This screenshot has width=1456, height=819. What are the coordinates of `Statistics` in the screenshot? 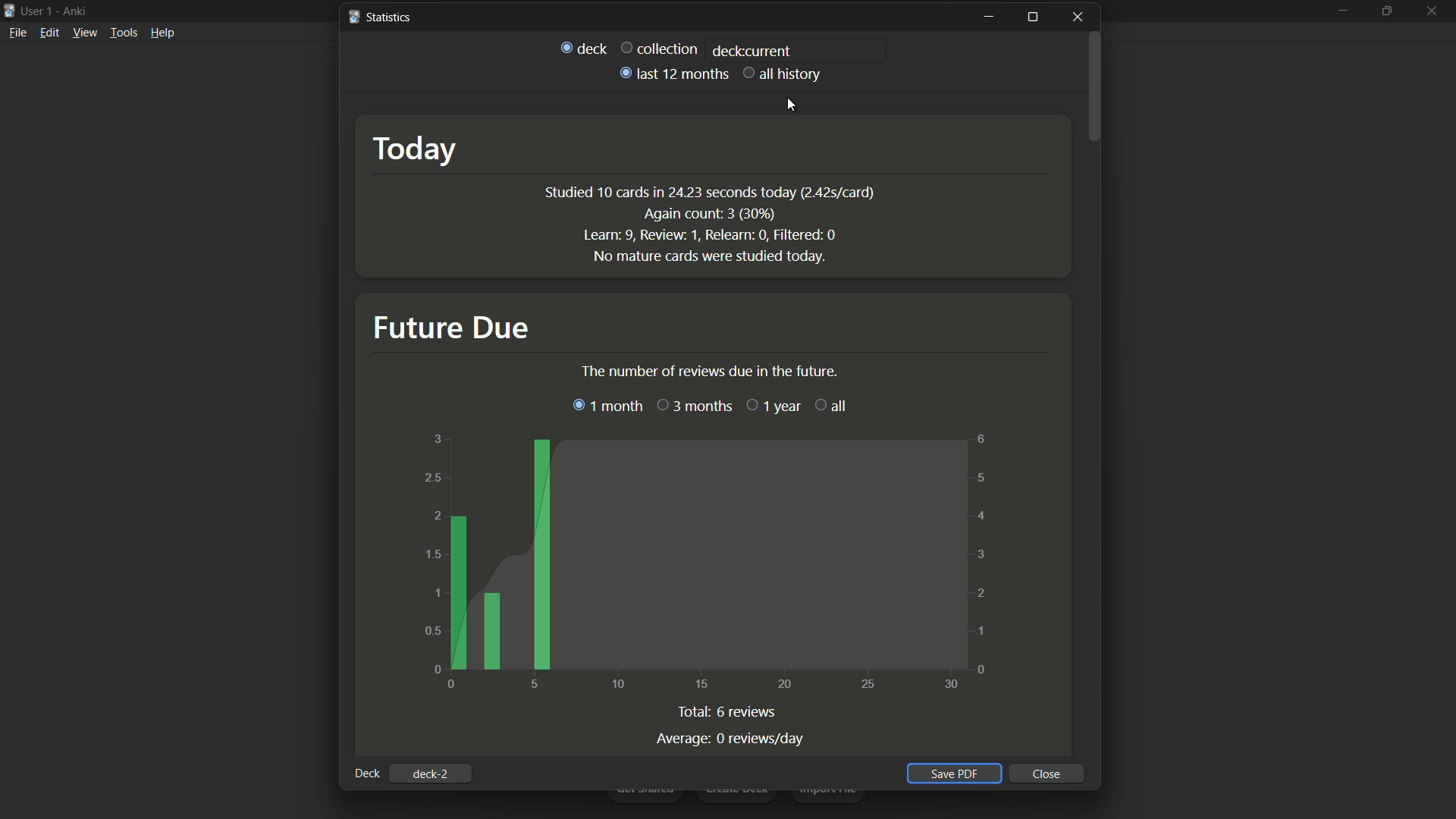 It's located at (380, 18).